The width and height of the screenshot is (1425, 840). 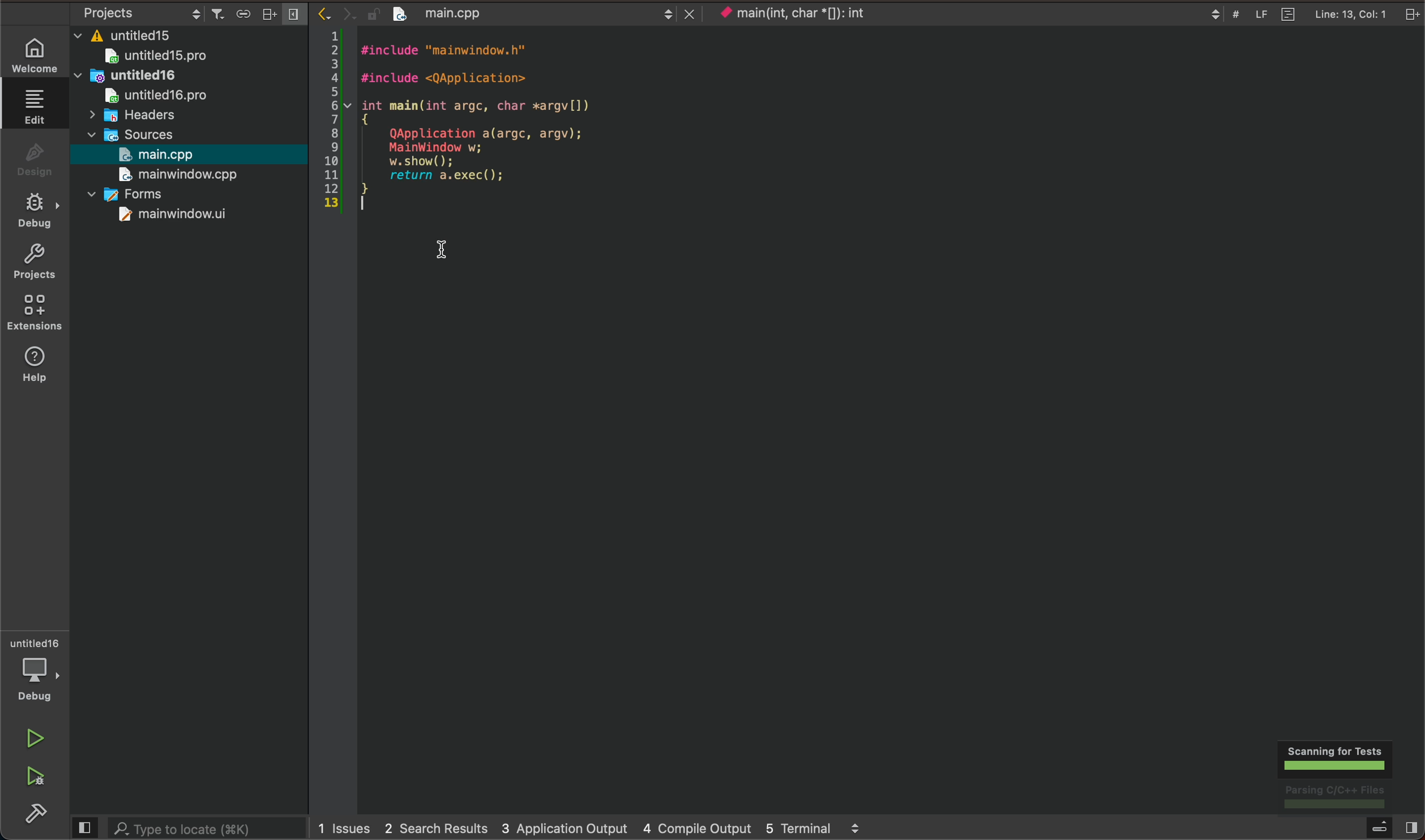 What do you see at coordinates (161, 96) in the screenshot?
I see `untitledpro` at bounding box center [161, 96].